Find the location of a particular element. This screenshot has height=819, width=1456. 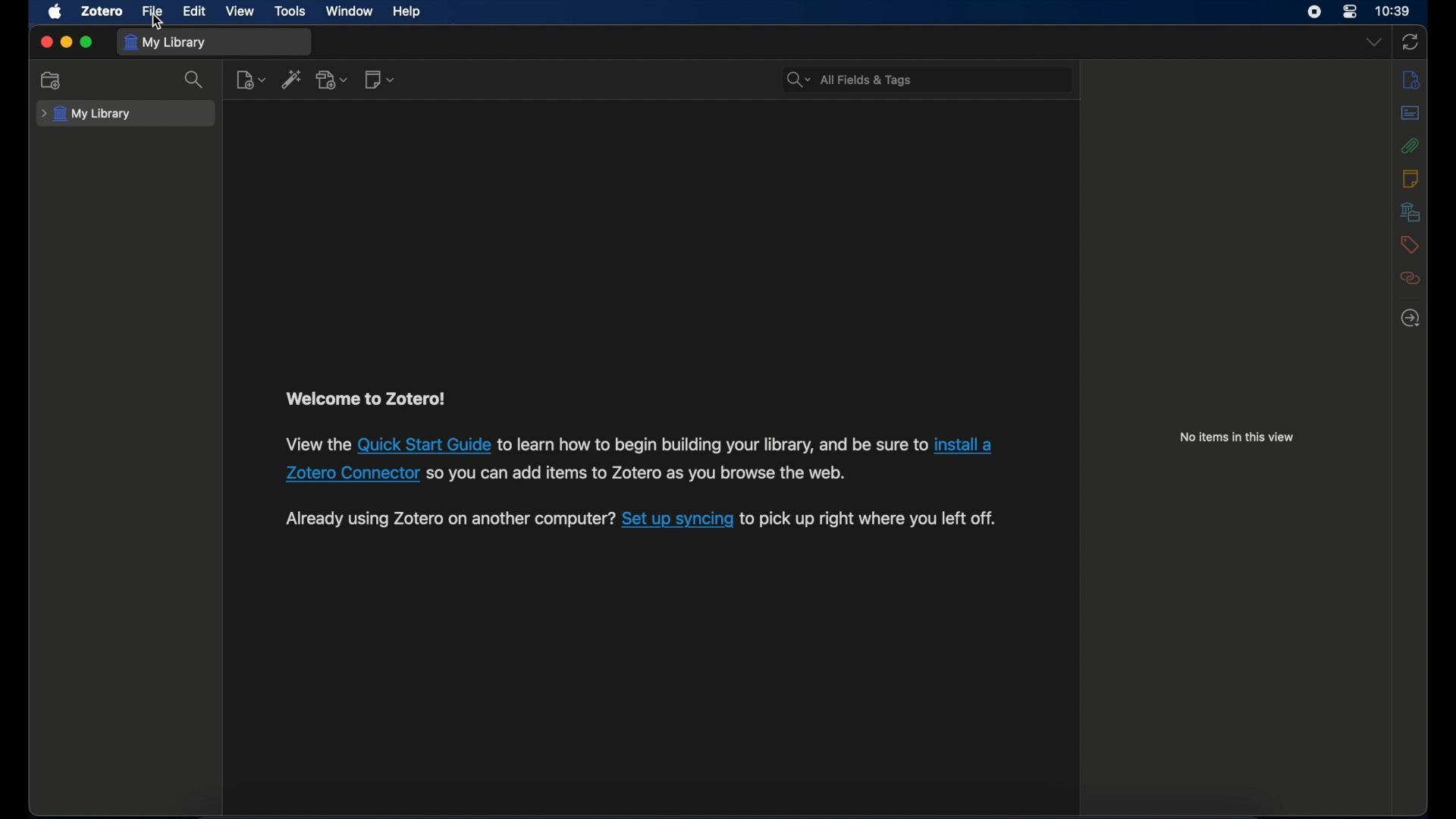

tools is located at coordinates (290, 11).